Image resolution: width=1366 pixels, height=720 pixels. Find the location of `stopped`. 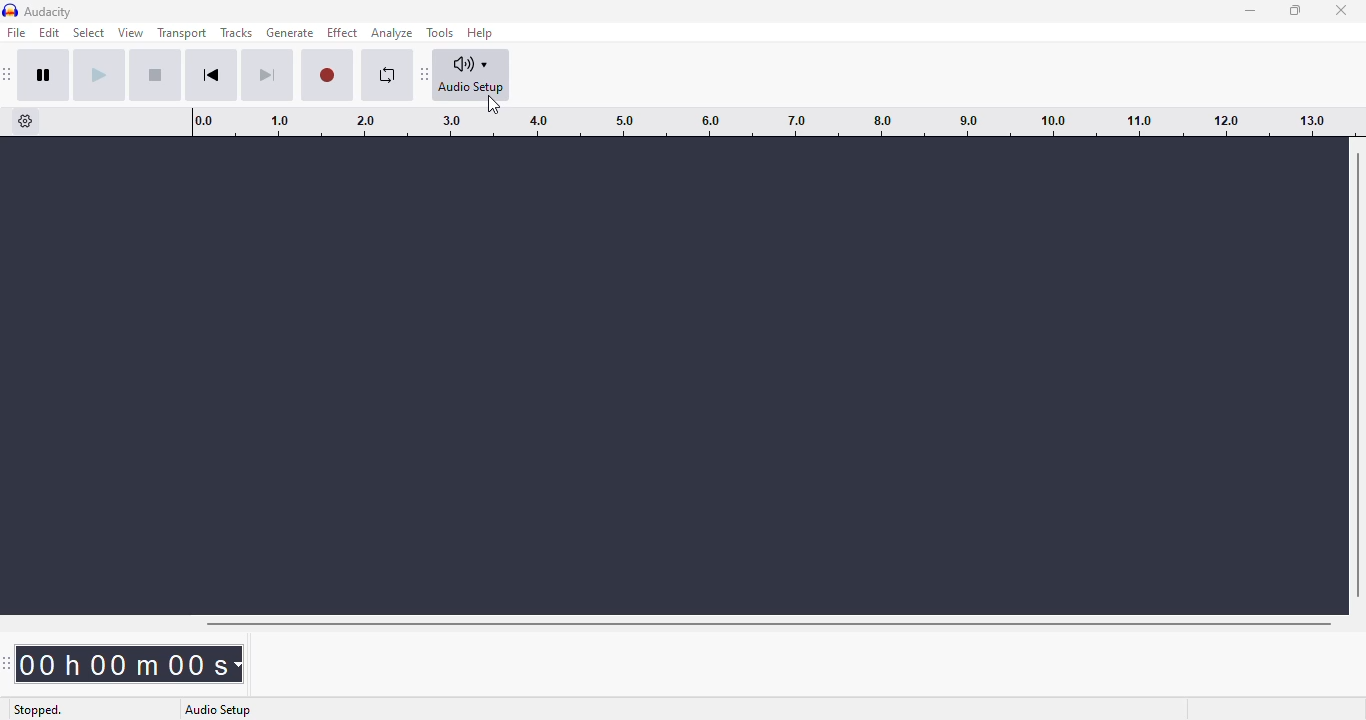

stopped is located at coordinates (37, 710).